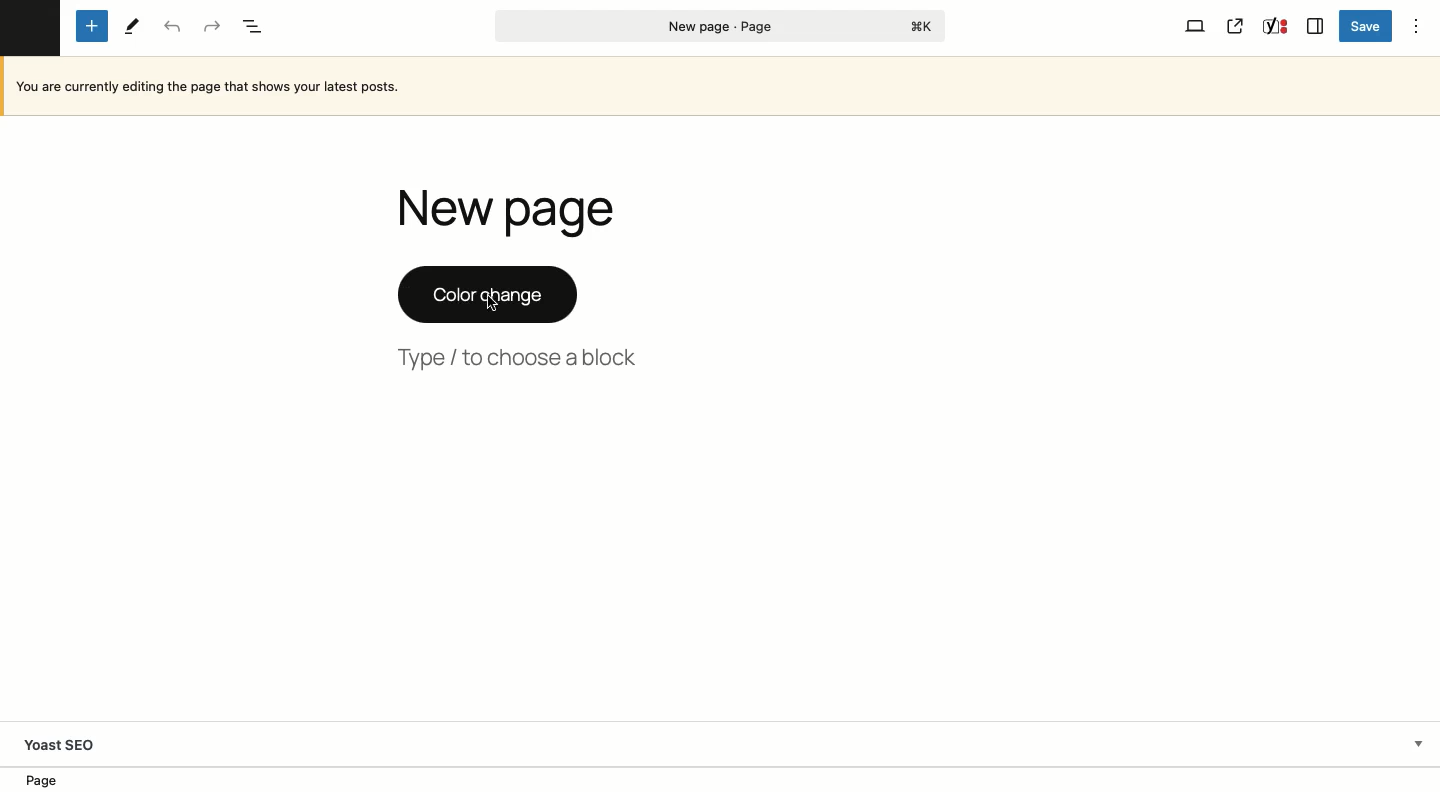 The image size is (1440, 792). Describe the element at coordinates (1235, 27) in the screenshot. I see `View page` at that location.